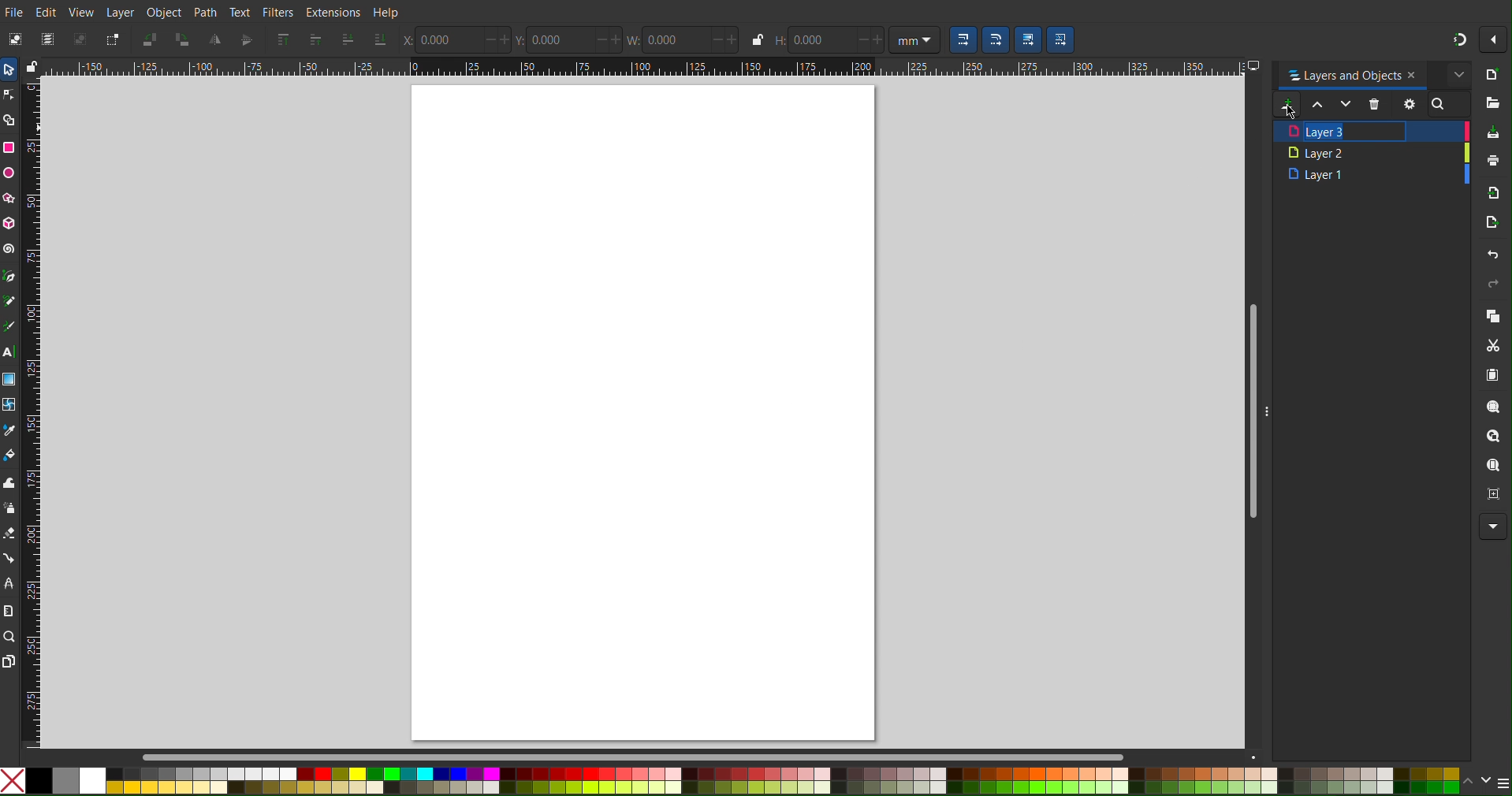 This screenshot has height=796, width=1512. I want to click on Cut, so click(1489, 345).